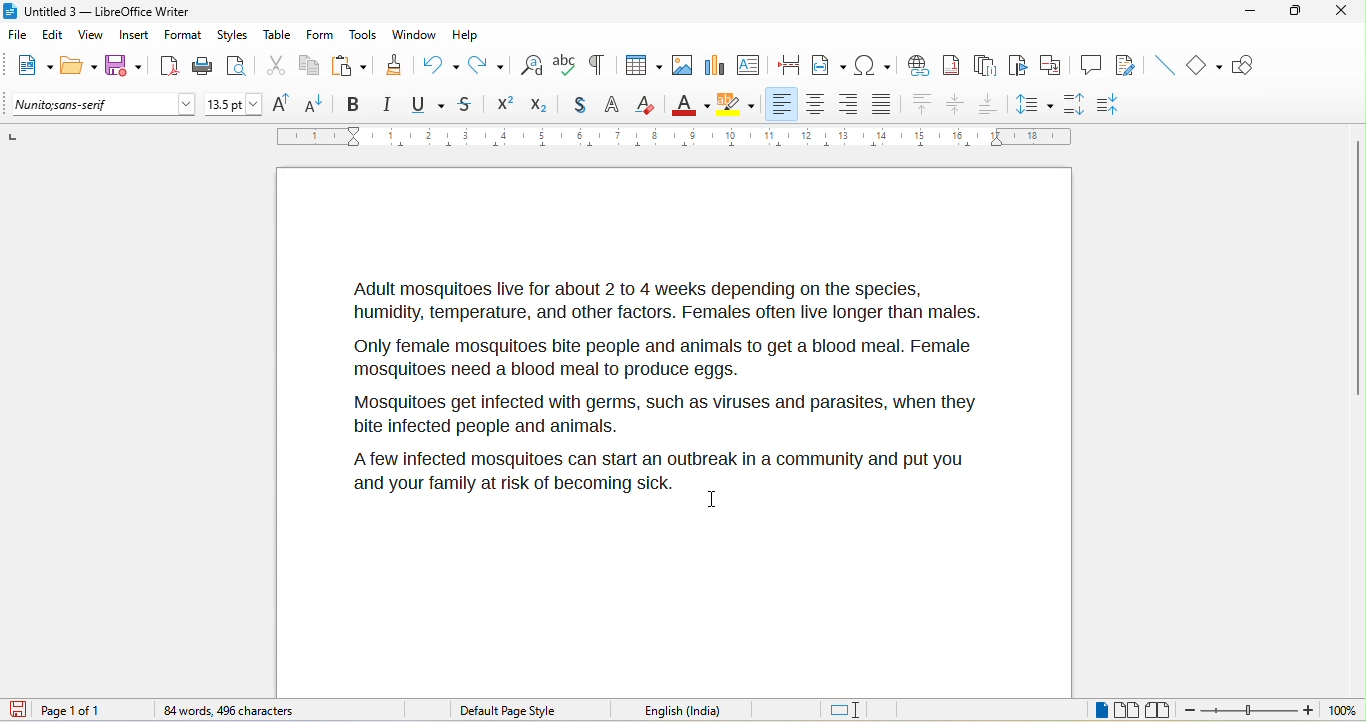  What do you see at coordinates (640, 67) in the screenshot?
I see `table` at bounding box center [640, 67].